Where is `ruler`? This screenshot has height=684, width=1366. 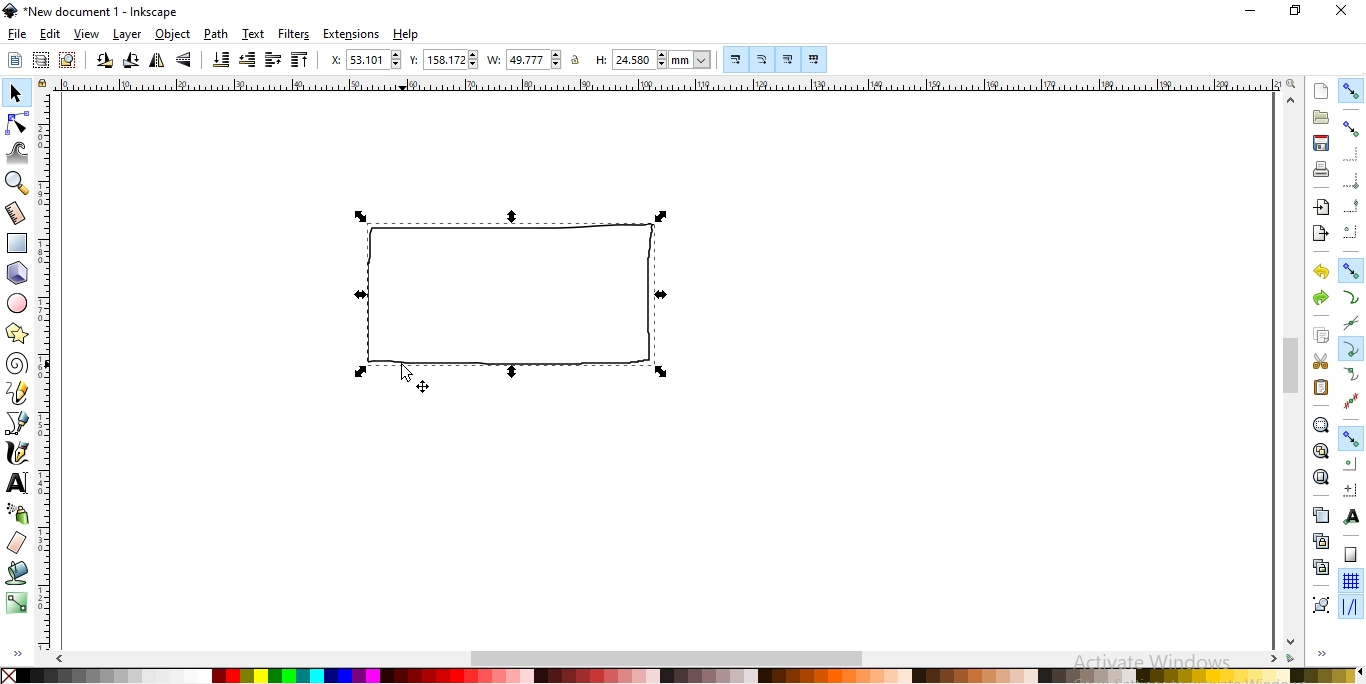 ruler is located at coordinates (50, 376).